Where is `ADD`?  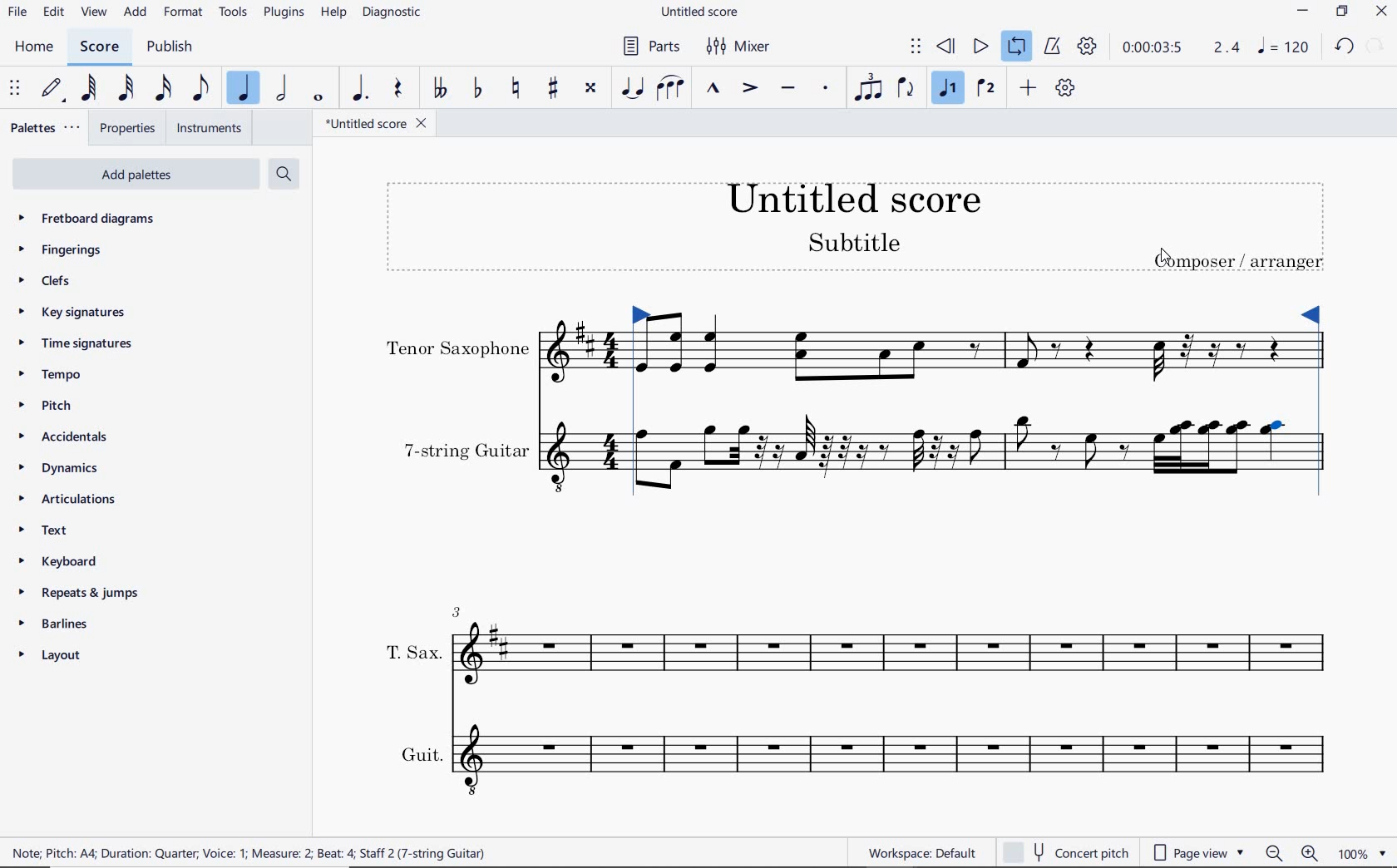 ADD is located at coordinates (1028, 90).